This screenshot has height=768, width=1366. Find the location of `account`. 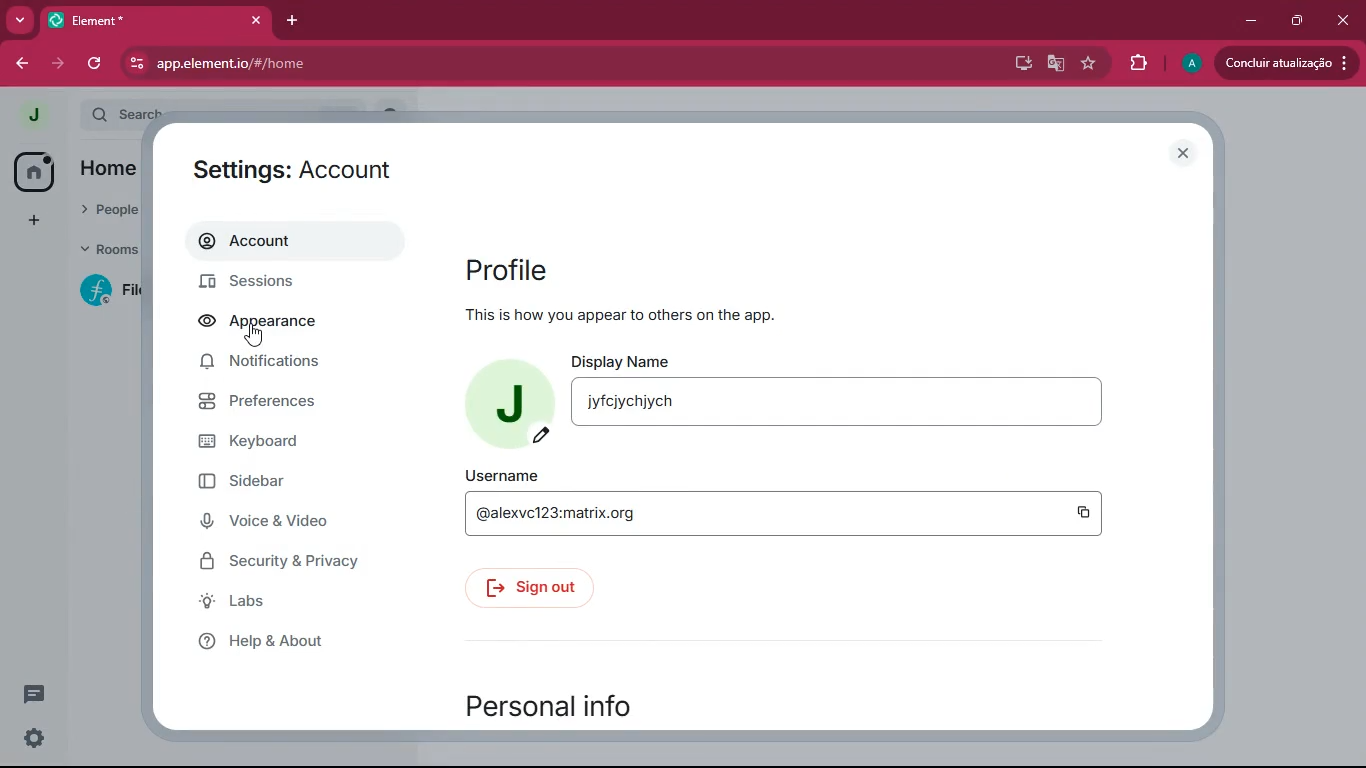

account is located at coordinates (289, 242).